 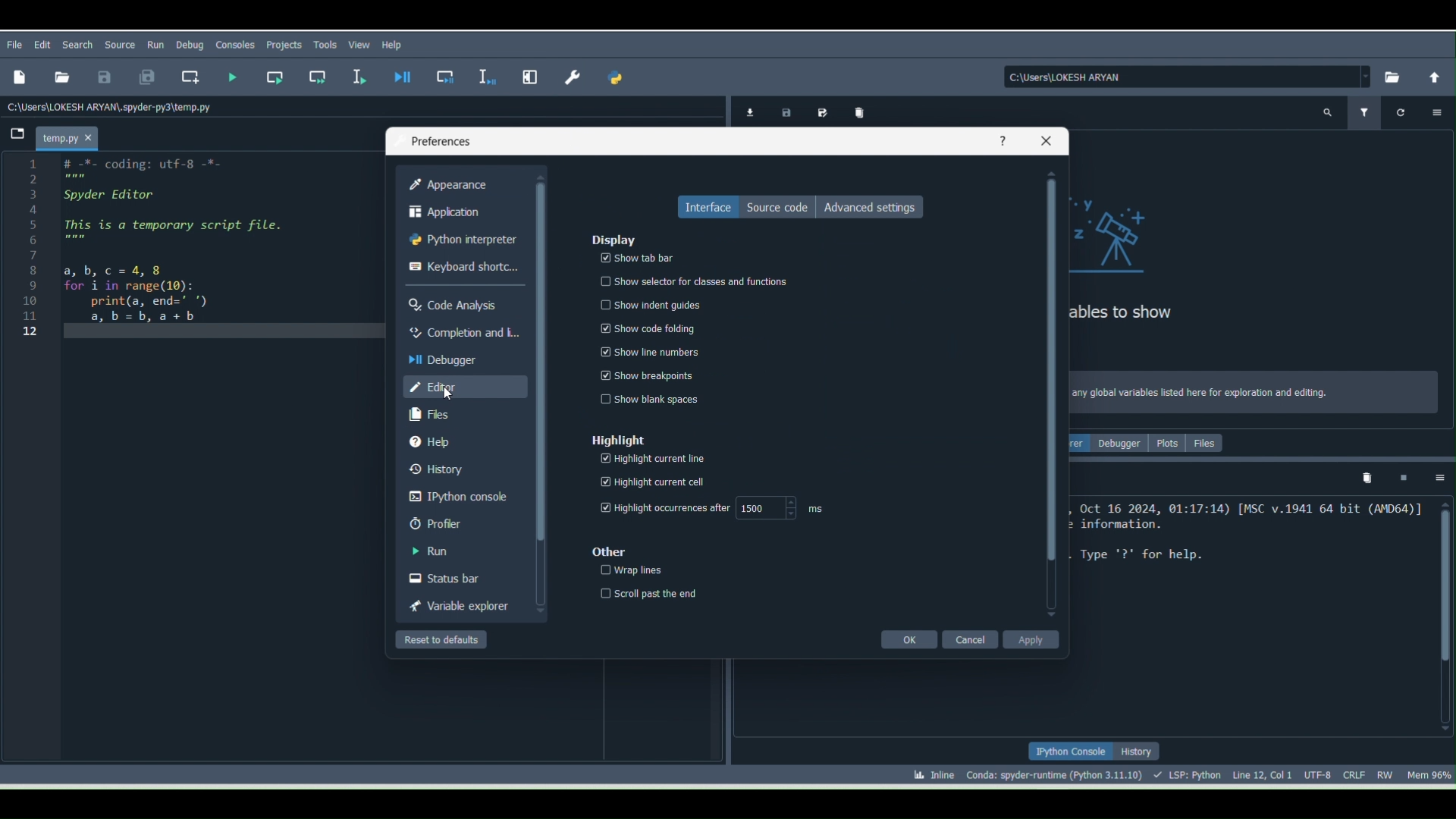 I want to click on Scrollbar, so click(x=1442, y=615).